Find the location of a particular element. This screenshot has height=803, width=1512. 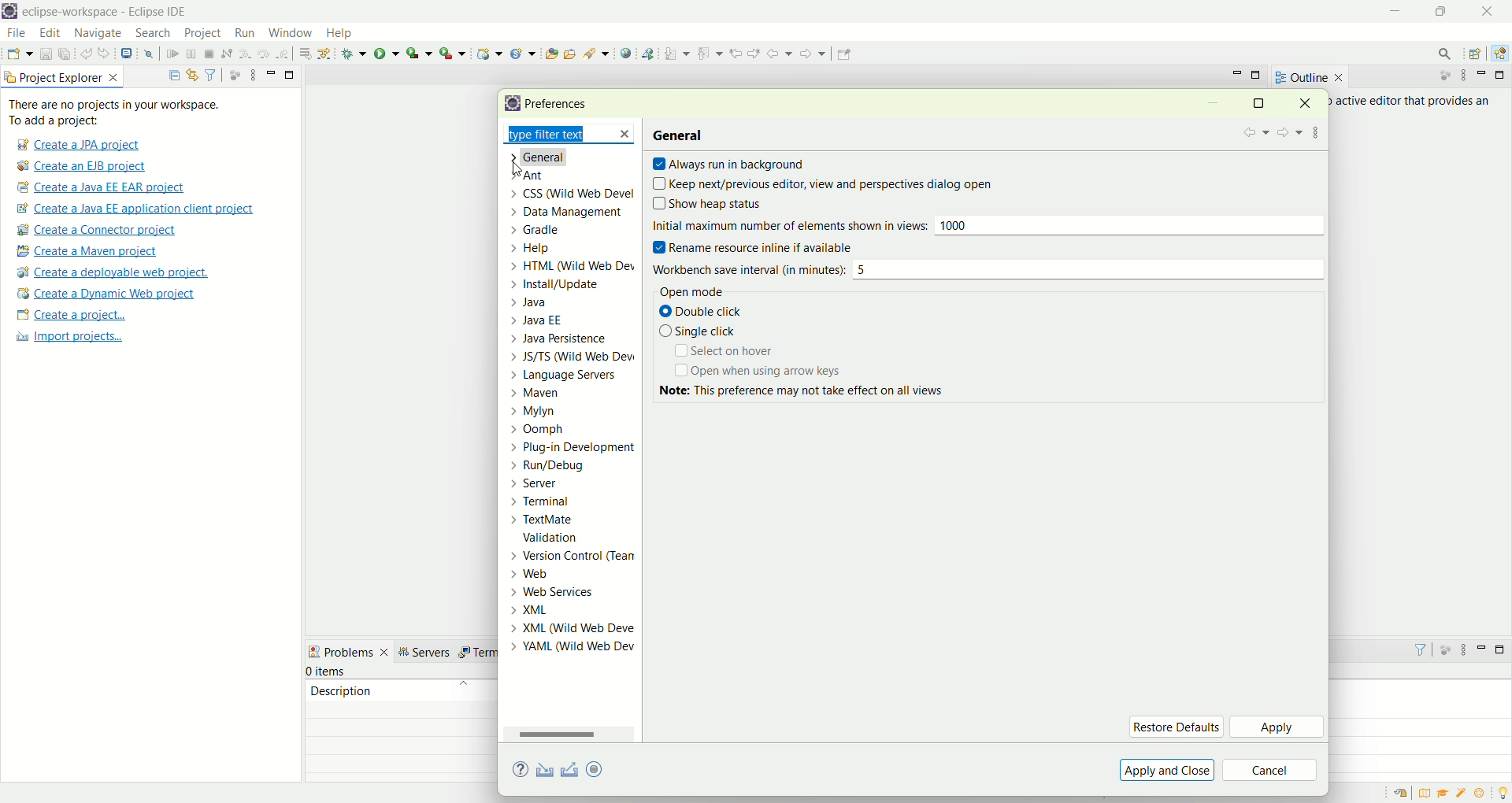

import projects is located at coordinates (67, 337).